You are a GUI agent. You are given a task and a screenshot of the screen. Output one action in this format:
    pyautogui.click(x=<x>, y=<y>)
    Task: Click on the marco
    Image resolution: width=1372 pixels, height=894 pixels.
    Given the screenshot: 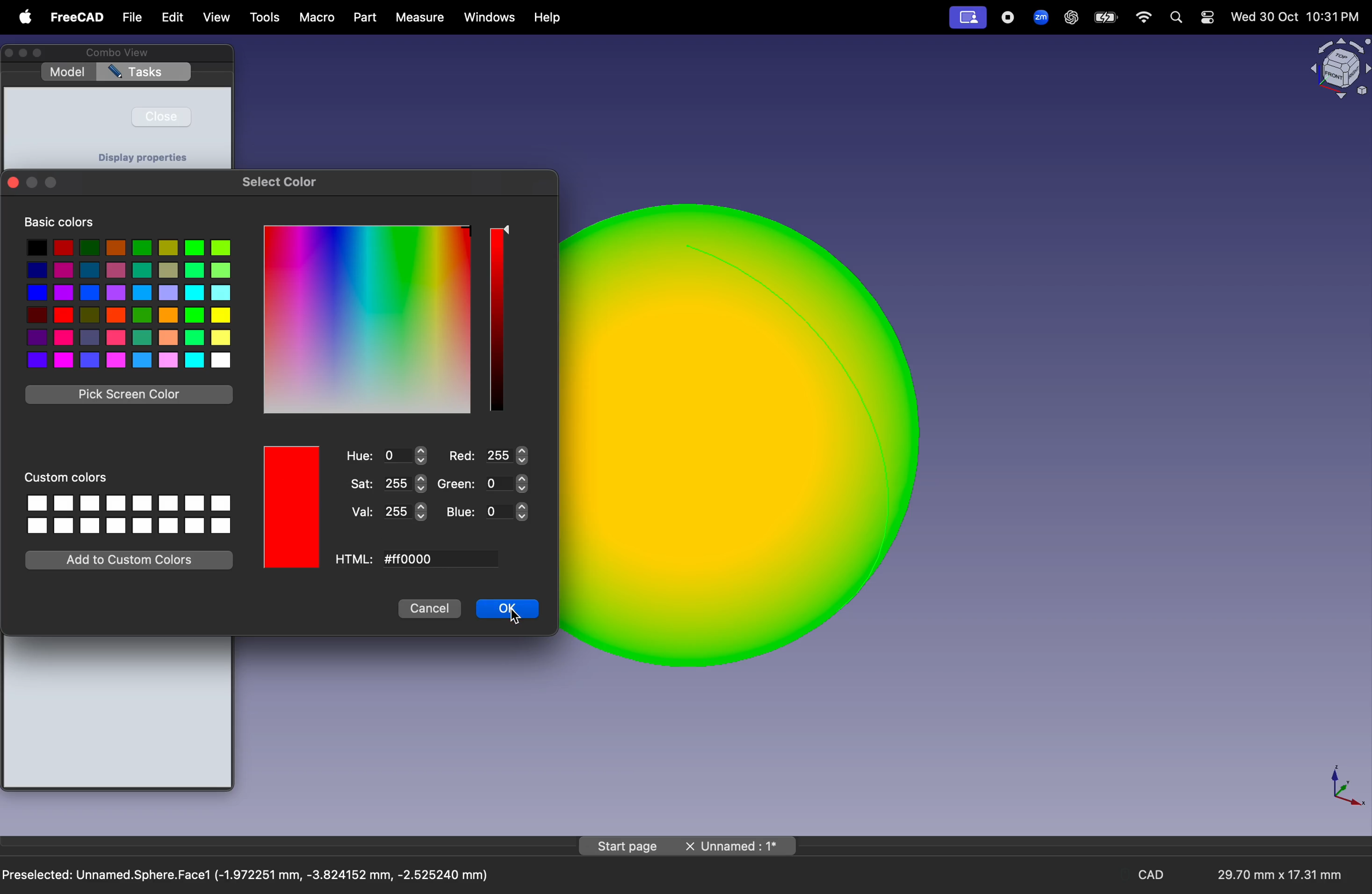 What is the action you would take?
    pyautogui.click(x=318, y=18)
    